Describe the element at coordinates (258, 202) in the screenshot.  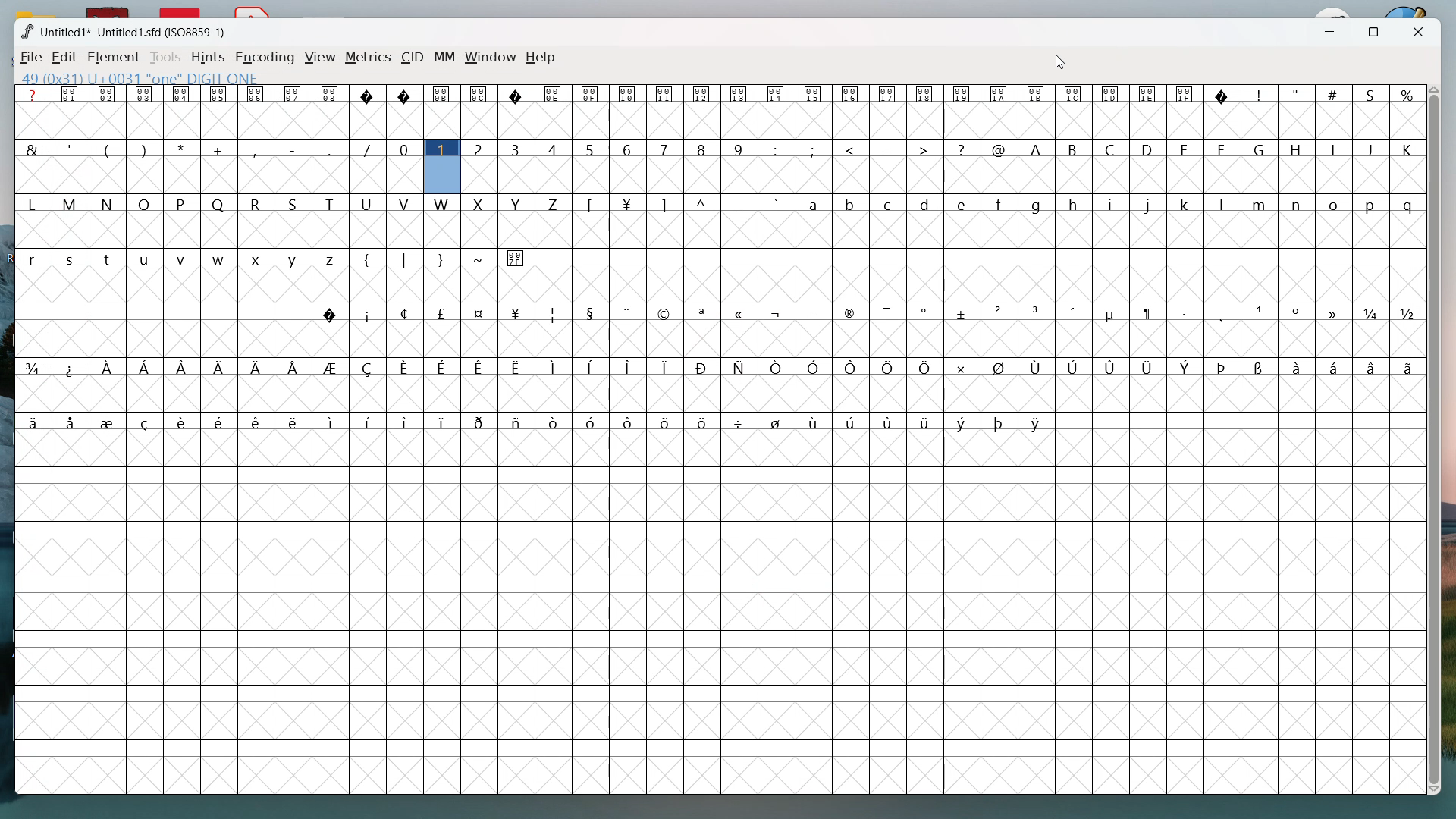
I see `R` at that location.